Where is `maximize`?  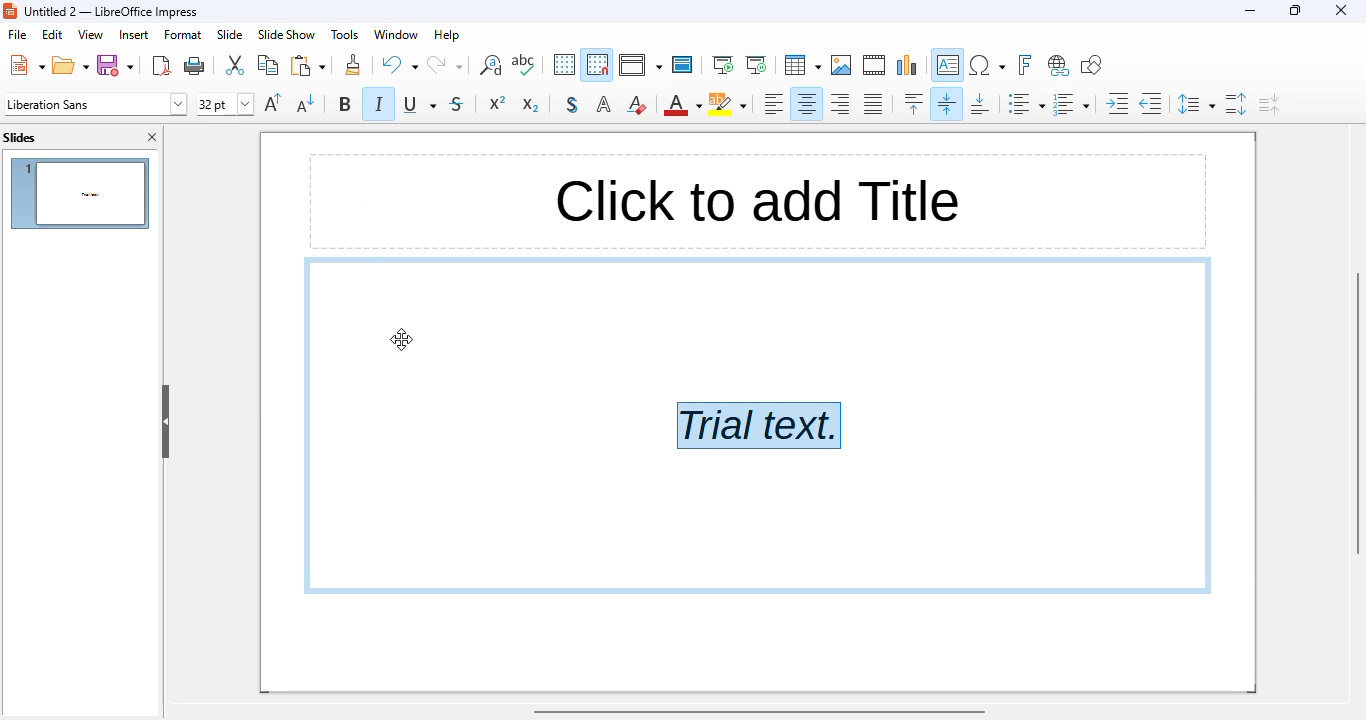
maximize is located at coordinates (1297, 10).